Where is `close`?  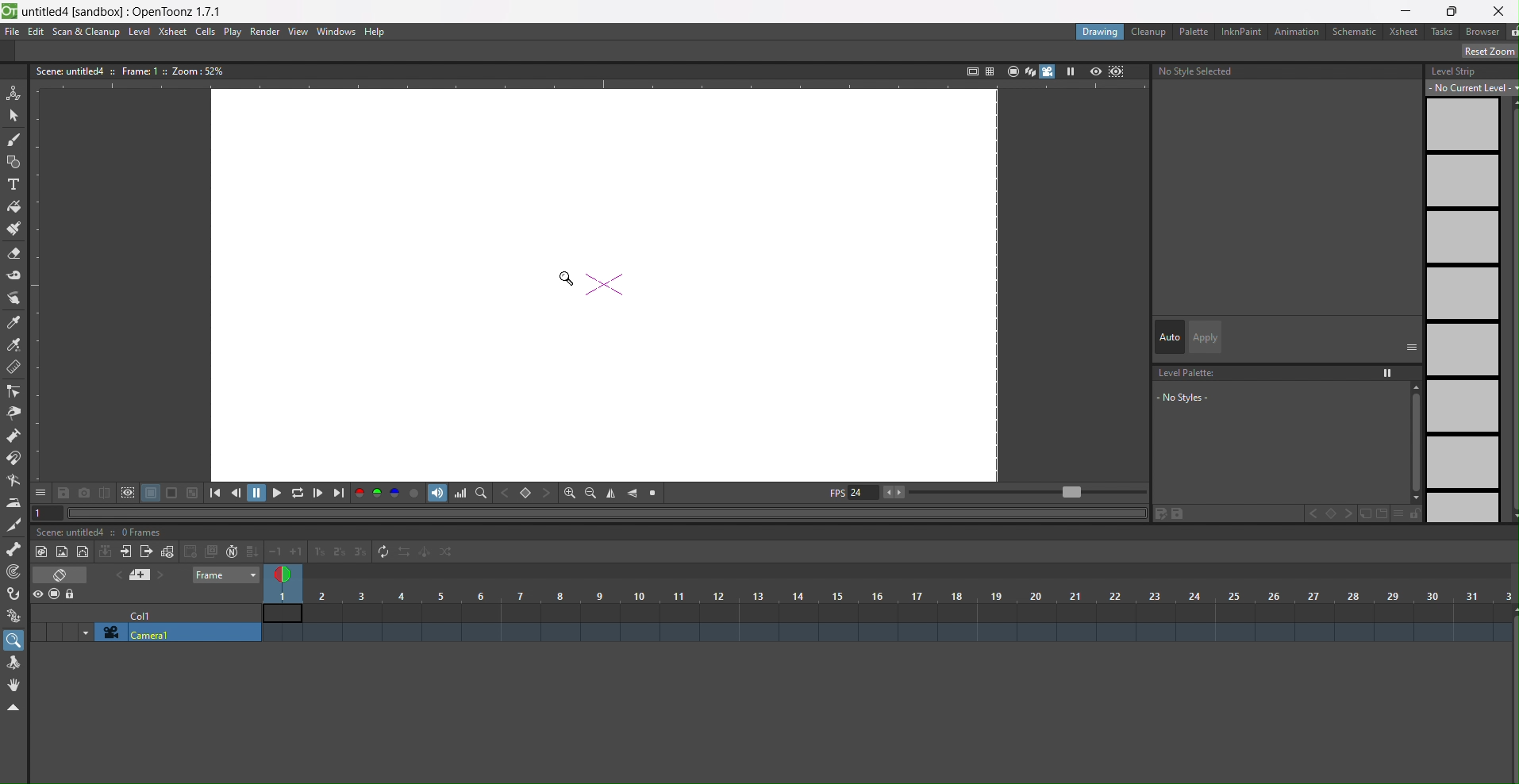
close is located at coordinates (1499, 10).